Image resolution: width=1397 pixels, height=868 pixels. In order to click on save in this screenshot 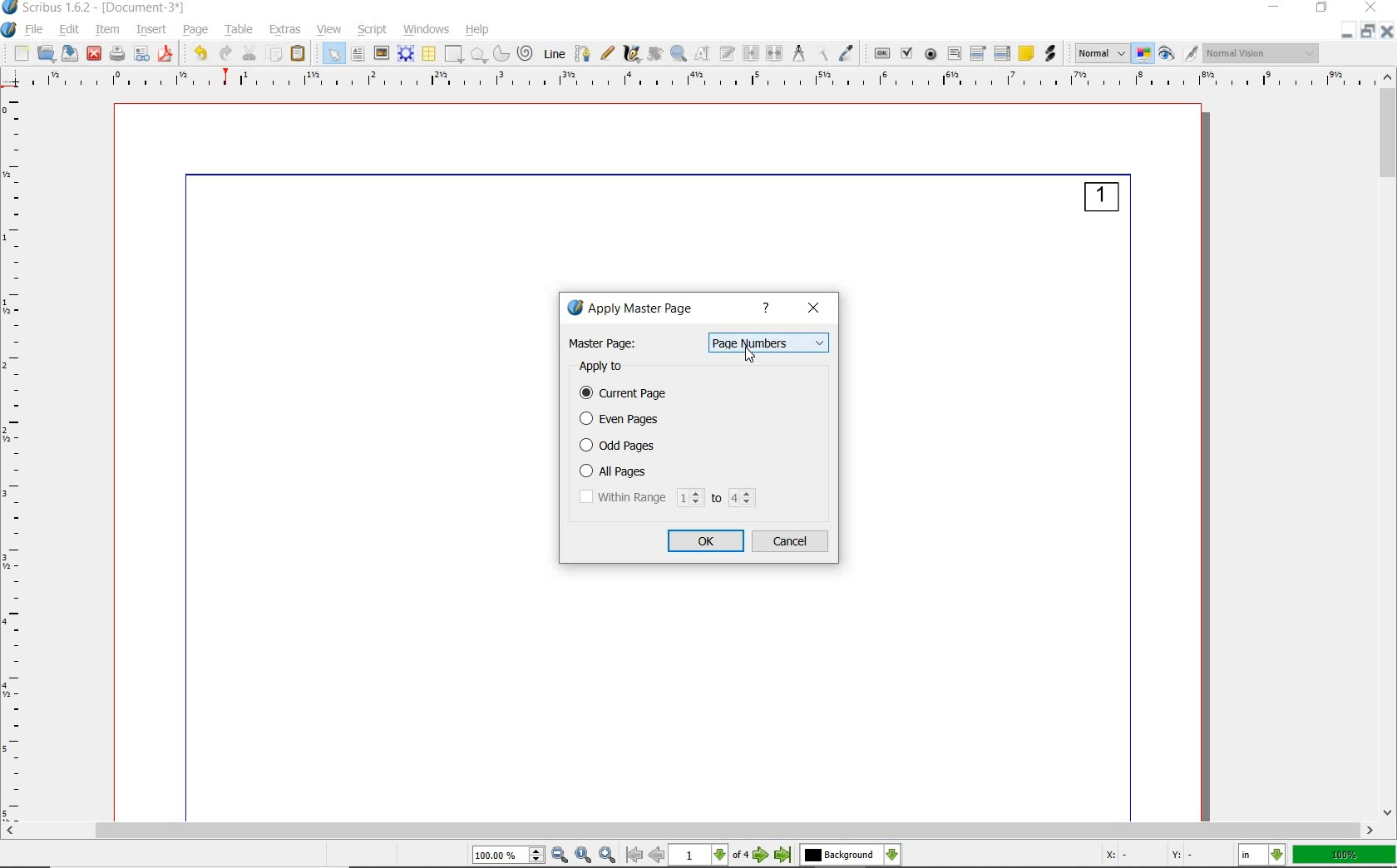, I will do `click(68, 53)`.